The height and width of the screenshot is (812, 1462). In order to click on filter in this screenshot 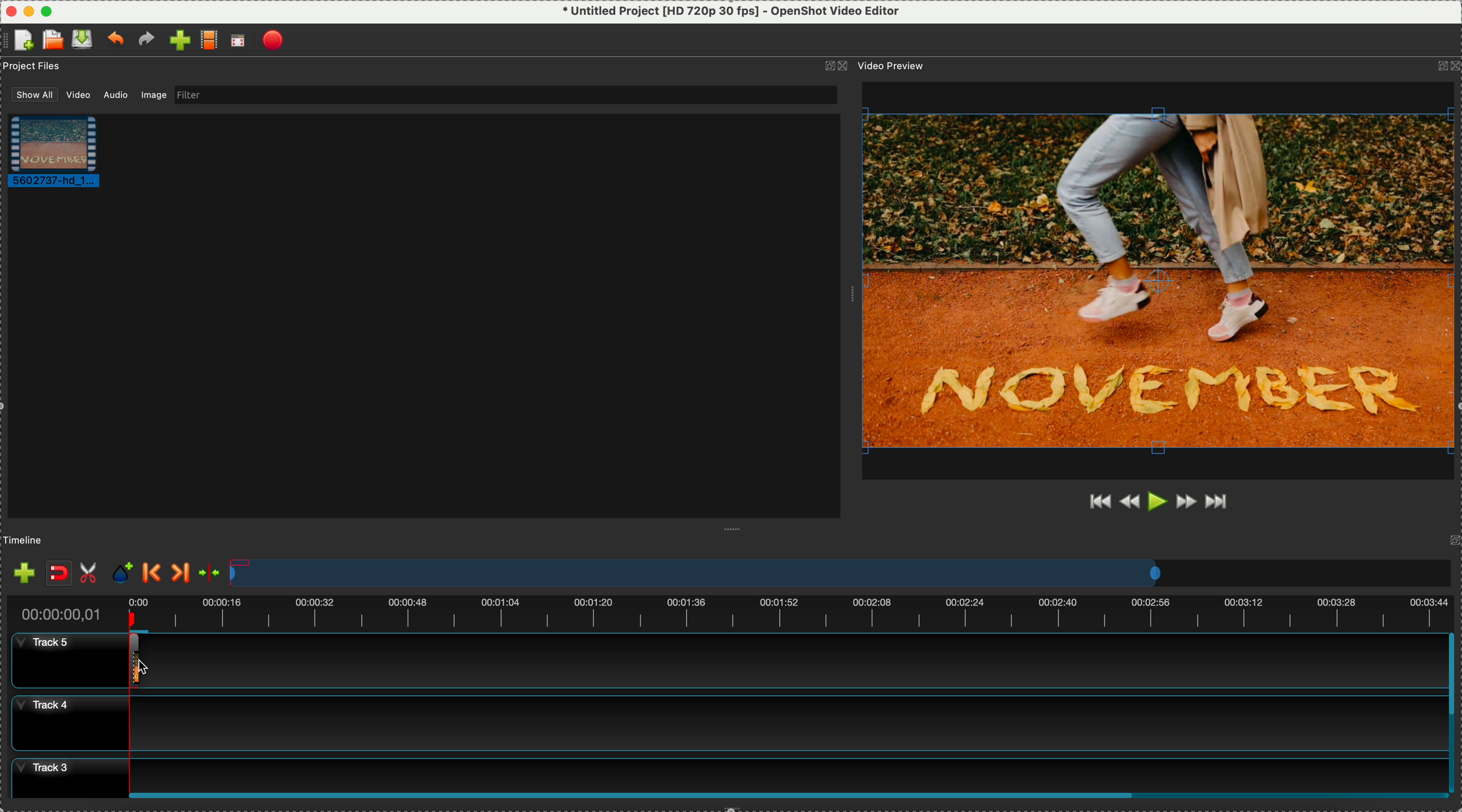, I will do `click(506, 95)`.